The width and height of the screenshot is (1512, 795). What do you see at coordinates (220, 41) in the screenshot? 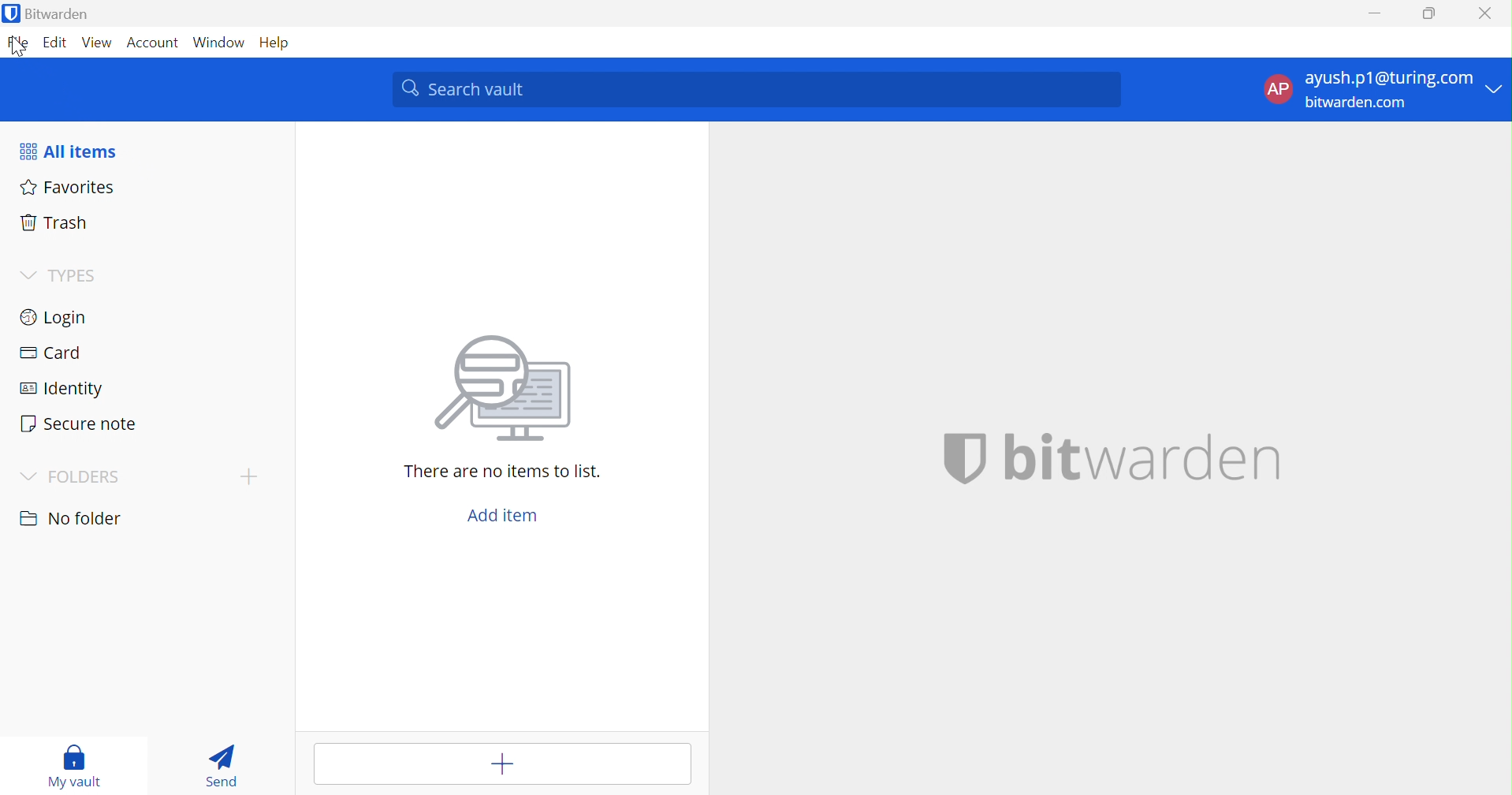
I see `Window` at bounding box center [220, 41].